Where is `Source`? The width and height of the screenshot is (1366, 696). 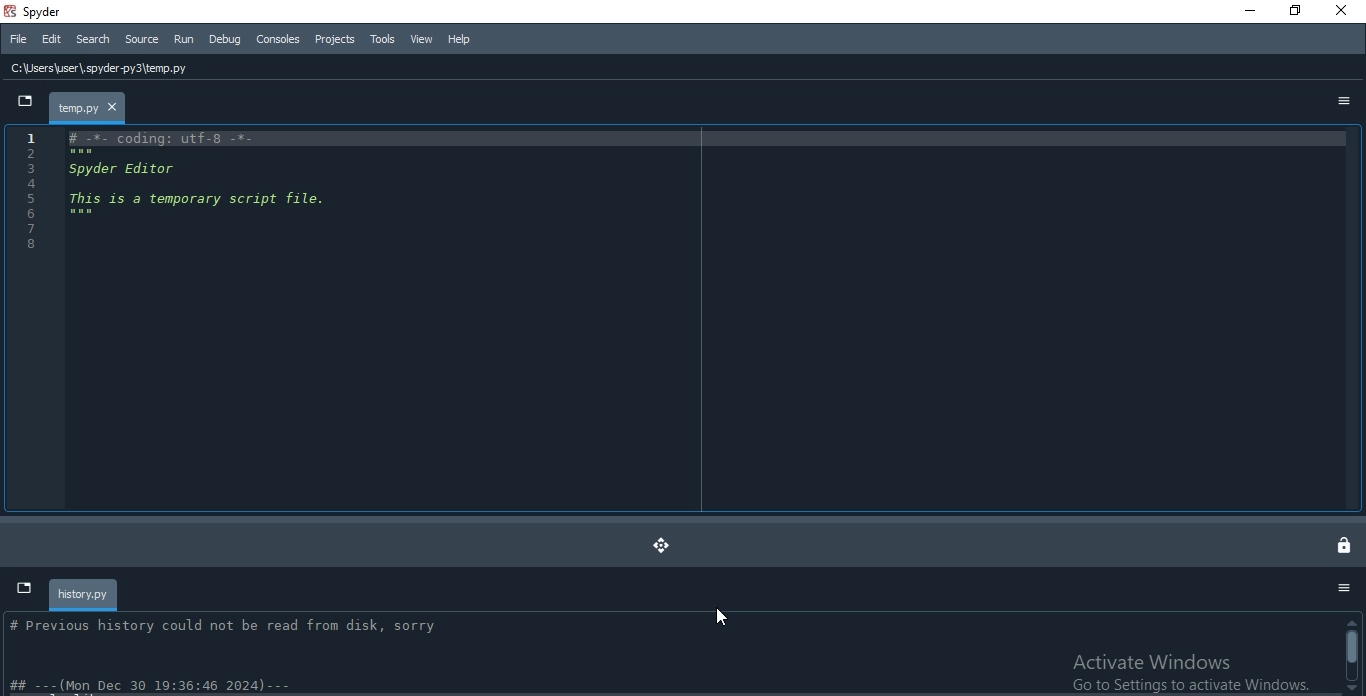
Source is located at coordinates (143, 39).